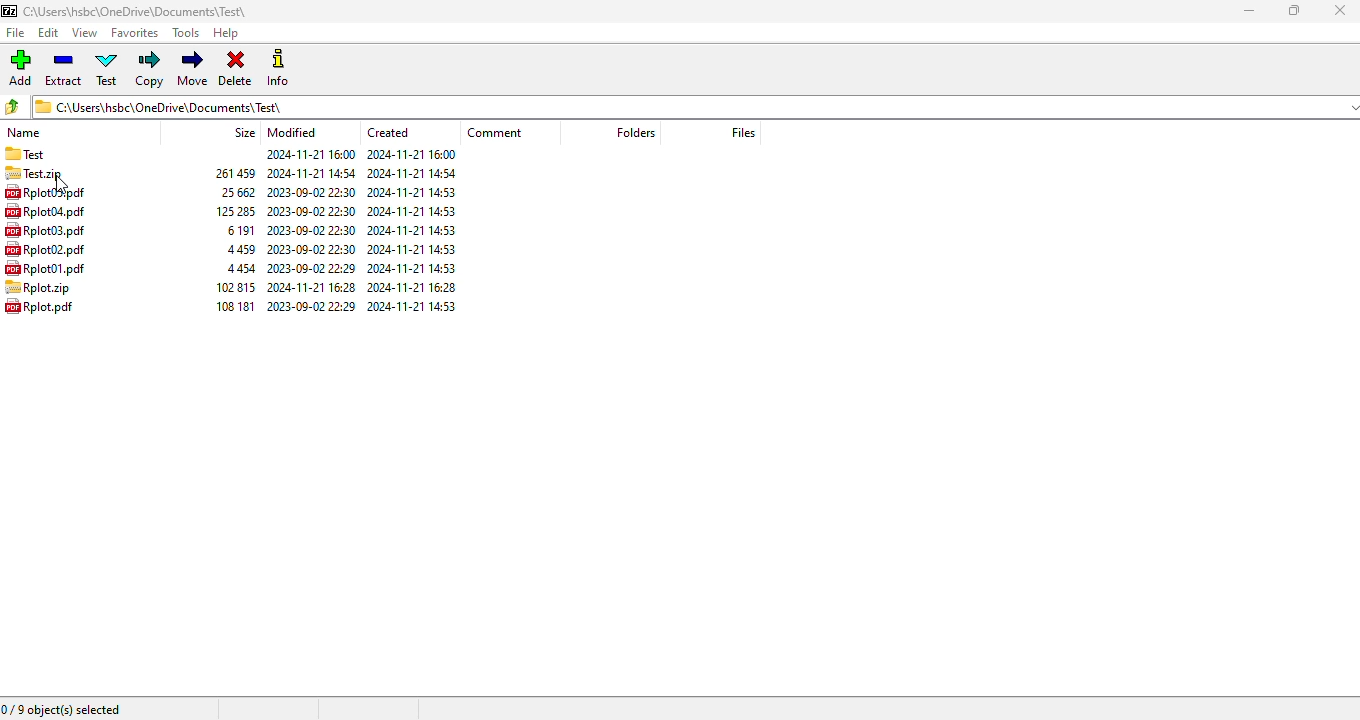  Describe the element at coordinates (412, 250) in the screenshot. I see `created date & time` at that location.